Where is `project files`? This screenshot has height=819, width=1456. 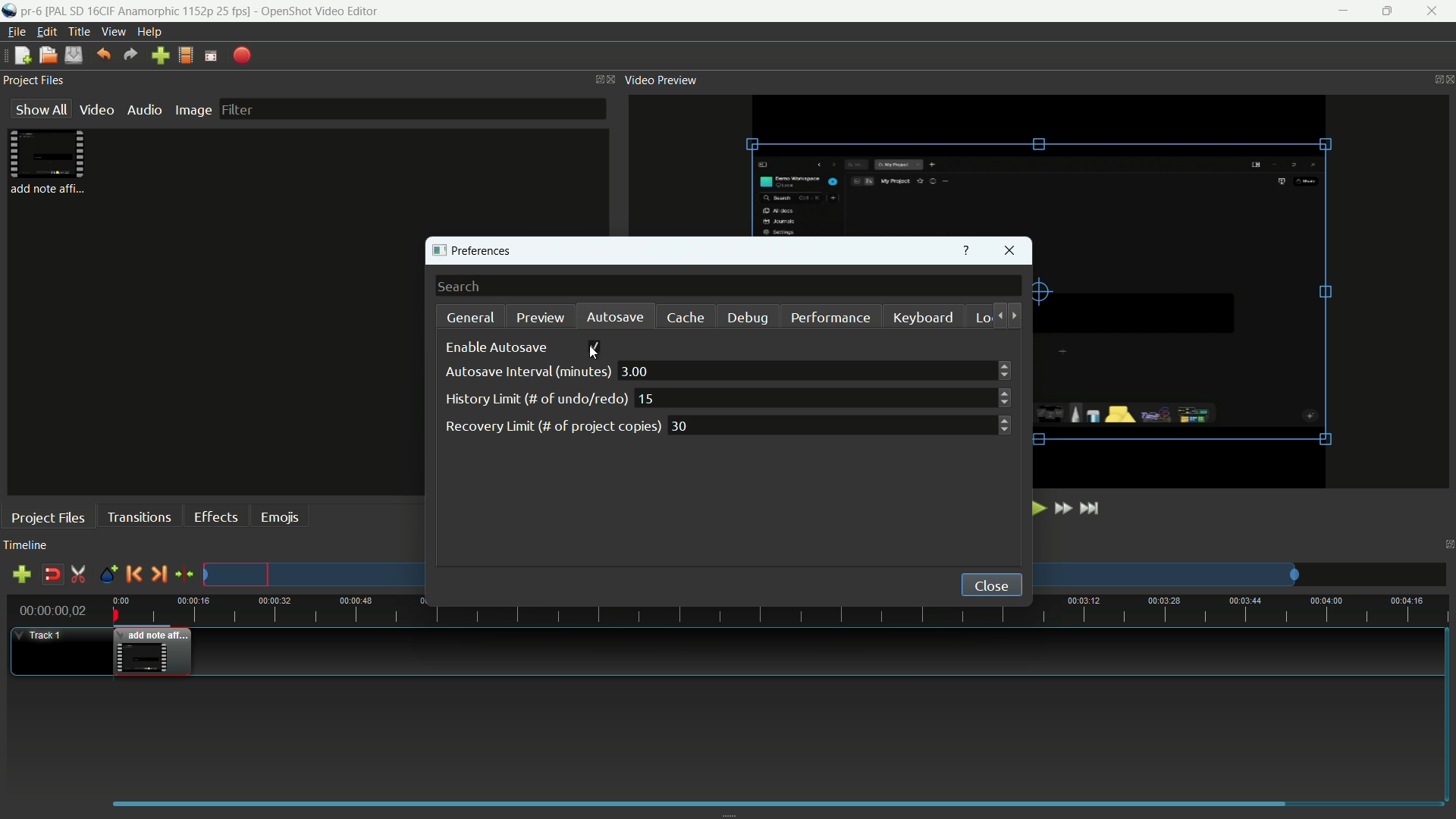
project files is located at coordinates (35, 80).